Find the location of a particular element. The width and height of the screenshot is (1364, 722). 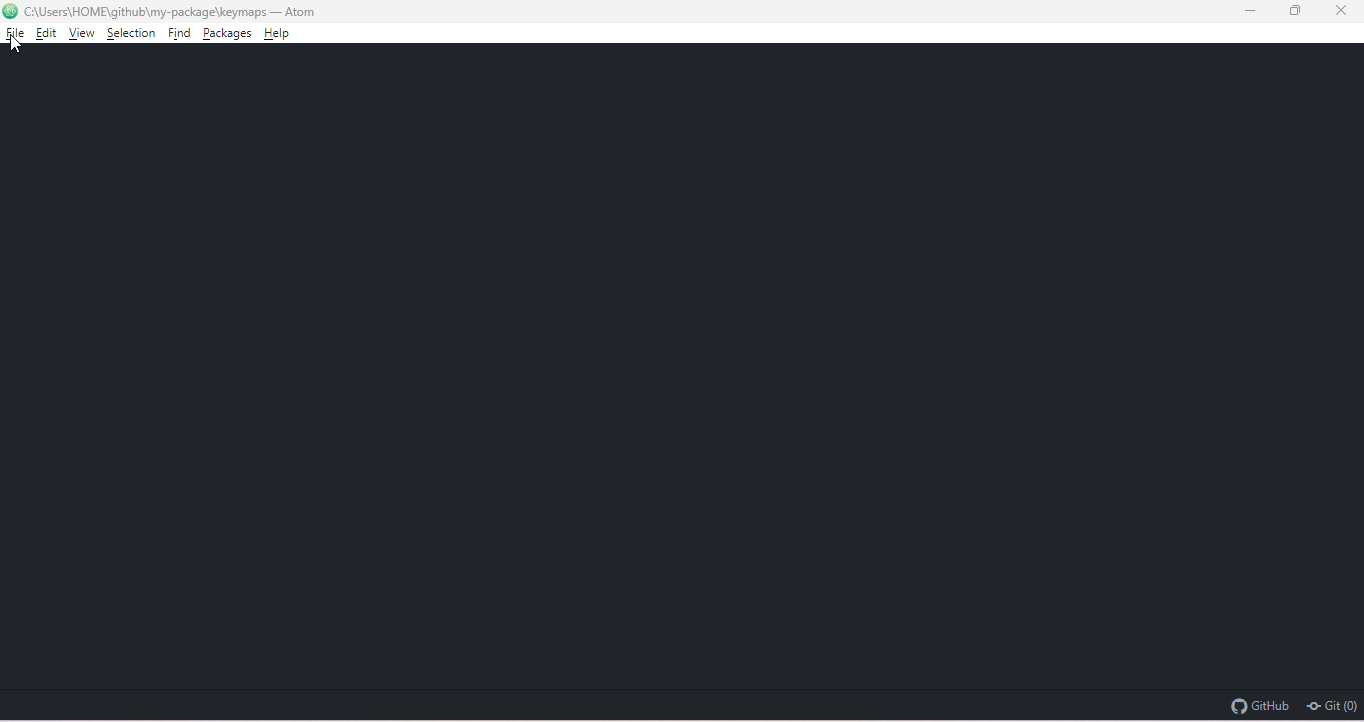

file is located at coordinates (14, 33).